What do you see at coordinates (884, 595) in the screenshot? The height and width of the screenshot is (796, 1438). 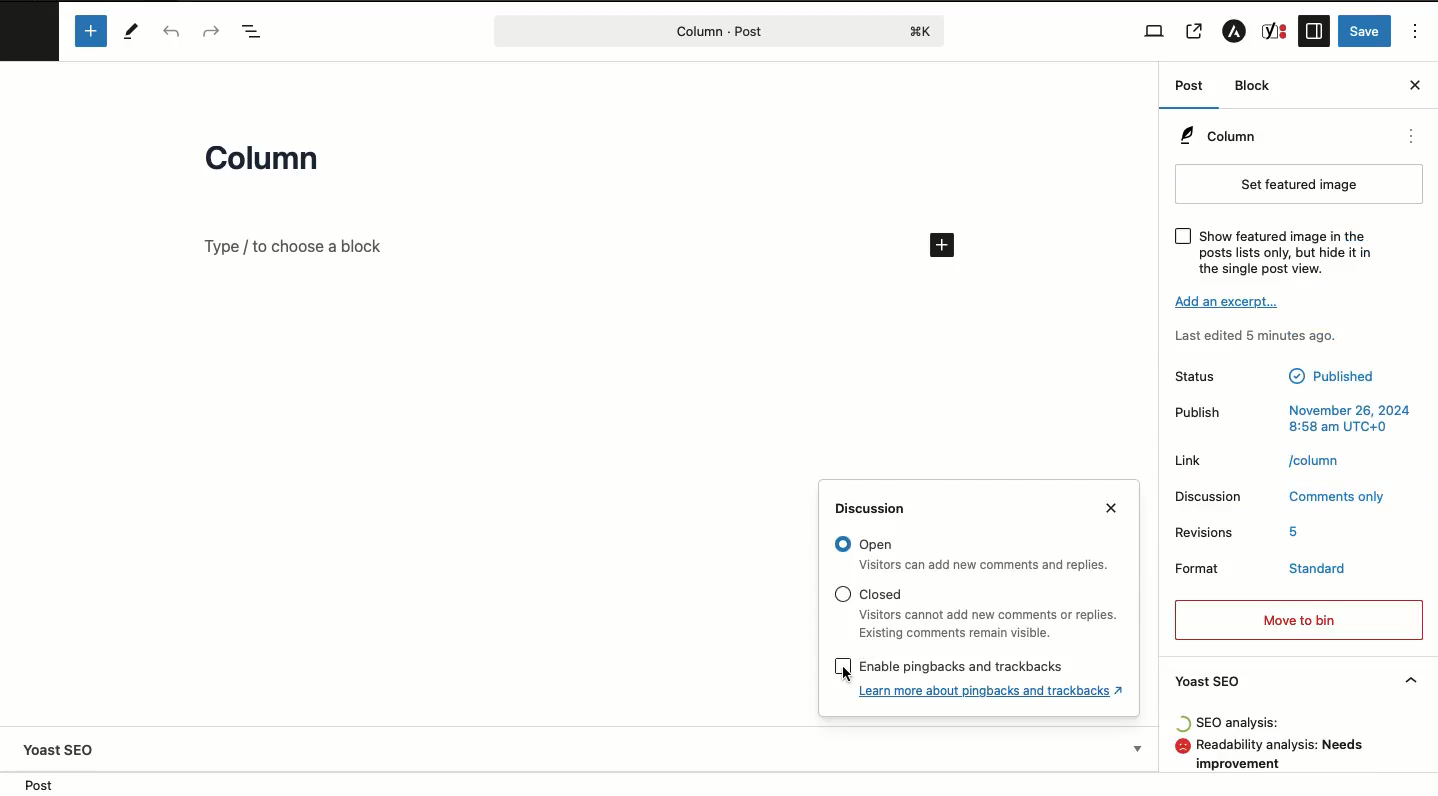 I see `` at bounding box center [884, 595].